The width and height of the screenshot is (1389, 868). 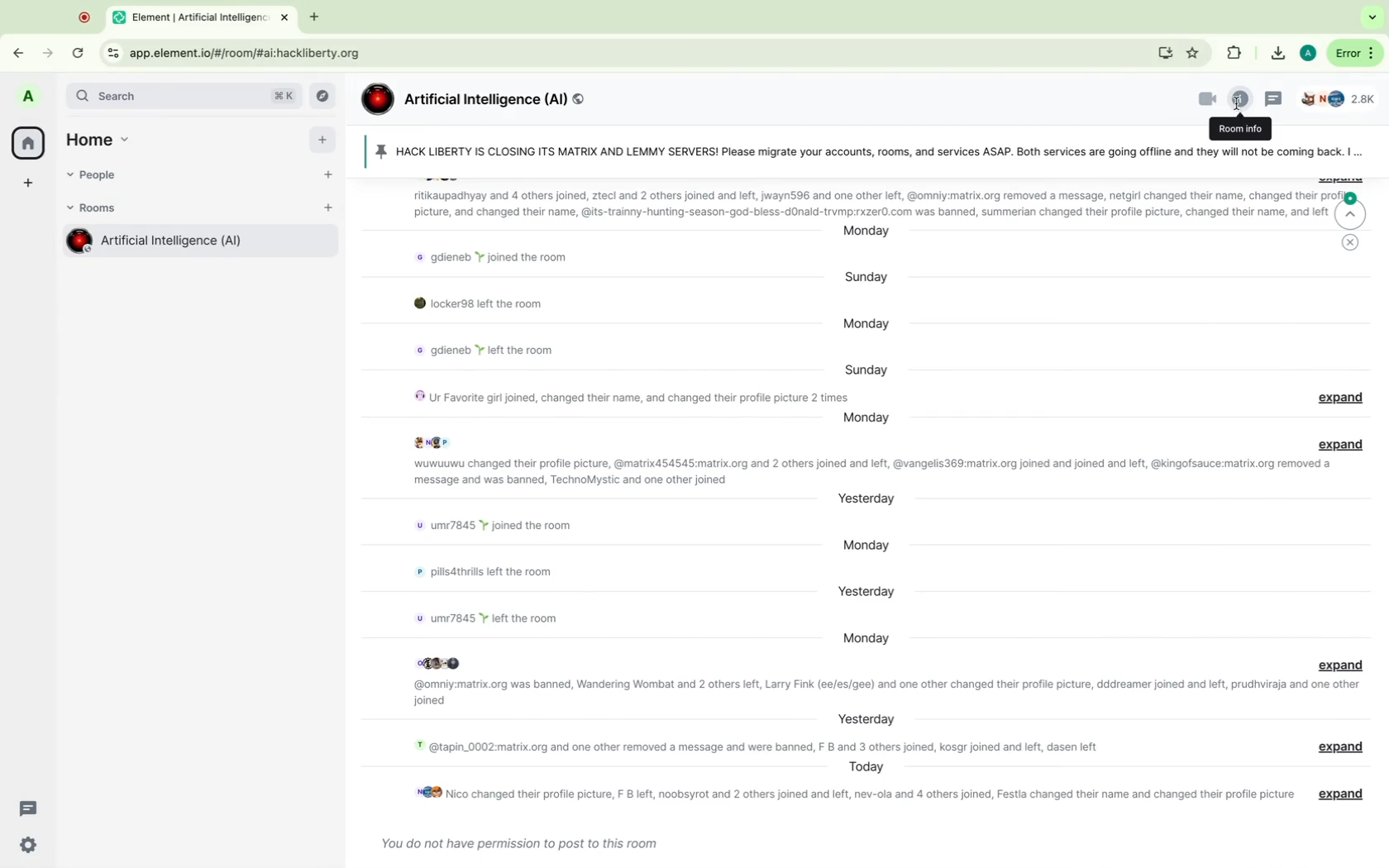 I want to click on add room, so click(x=328, y=212).